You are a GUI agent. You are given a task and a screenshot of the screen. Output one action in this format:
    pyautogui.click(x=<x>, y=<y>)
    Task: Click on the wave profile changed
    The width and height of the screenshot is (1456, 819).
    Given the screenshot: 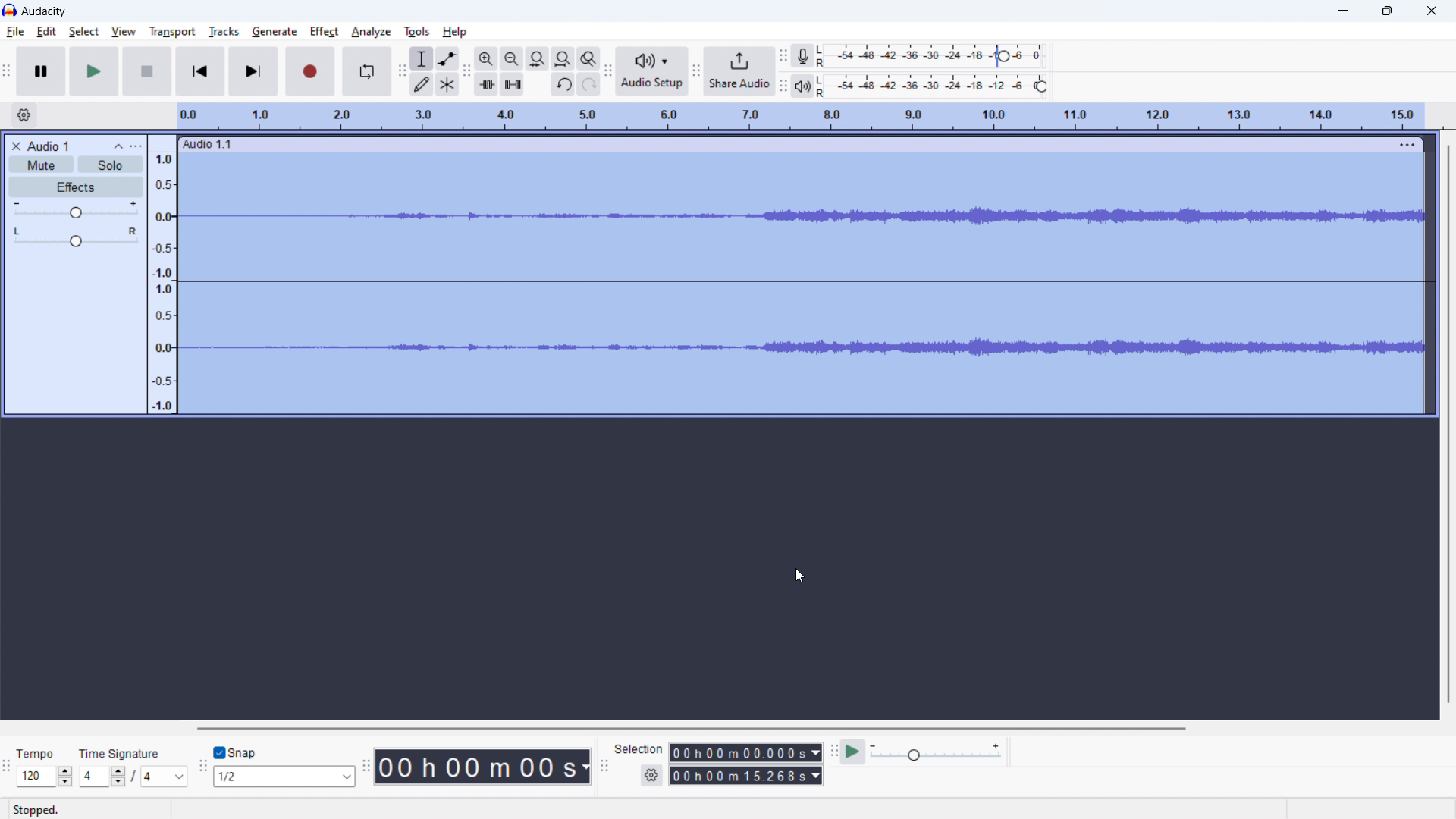 What is the action you would take?
    pyautogui.click(x=800, y=216)
    